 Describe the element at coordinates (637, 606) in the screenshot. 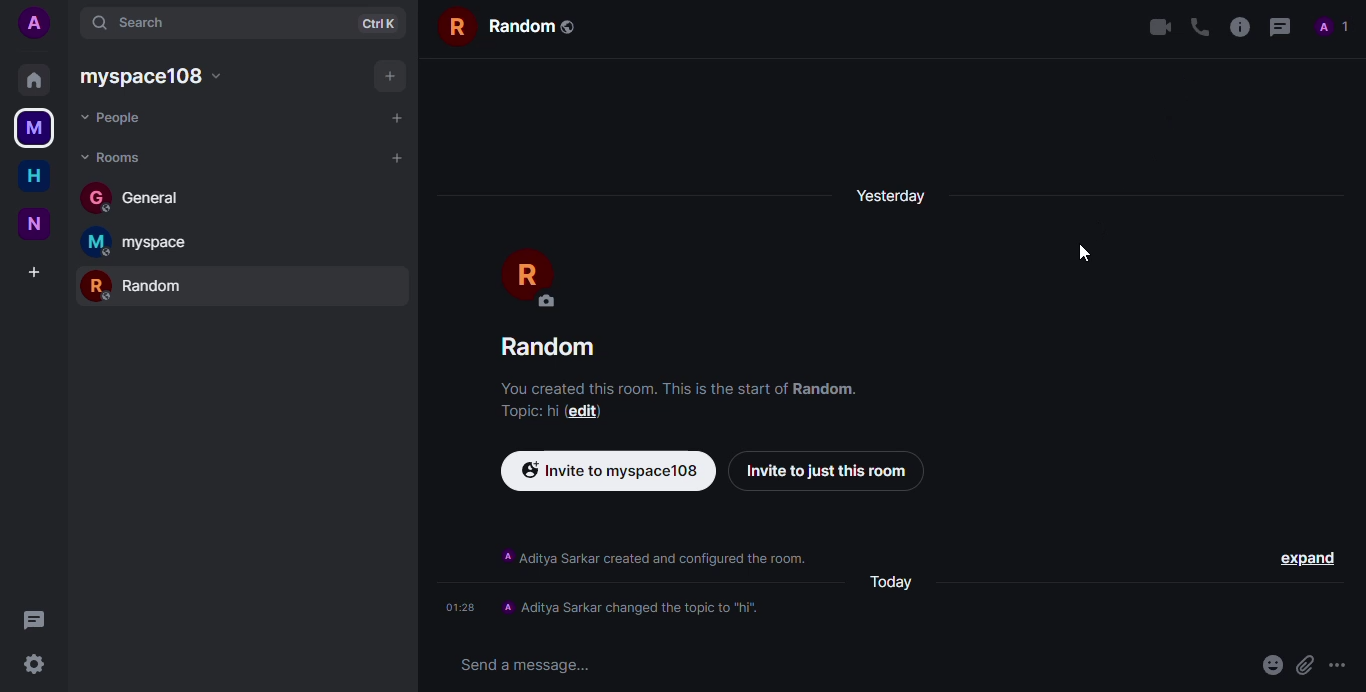

I see `topic changed` at that location.